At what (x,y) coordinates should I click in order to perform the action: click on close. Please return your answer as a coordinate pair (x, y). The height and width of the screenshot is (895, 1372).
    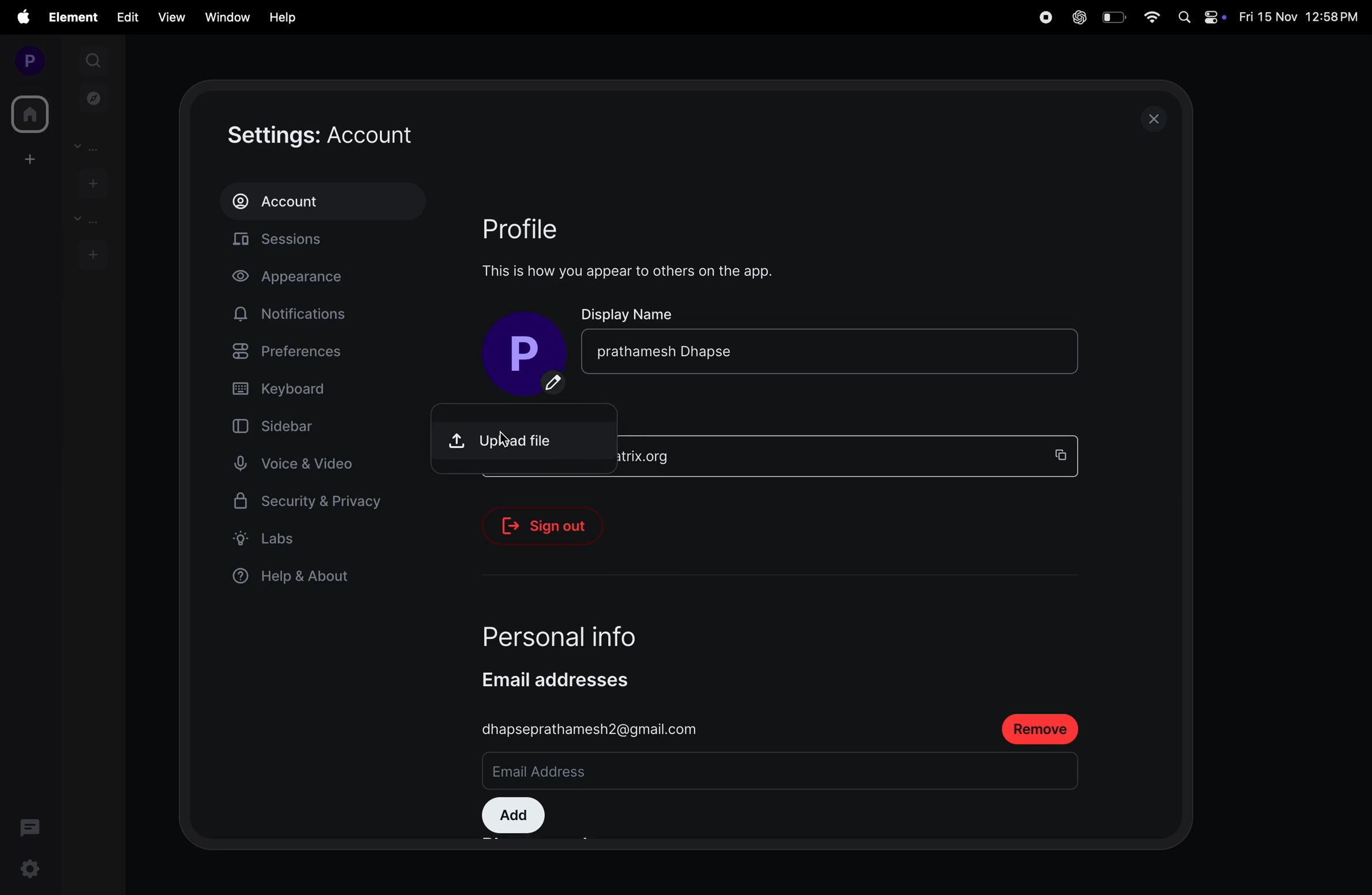
    Looking at the image, I should click on (1158, 118).